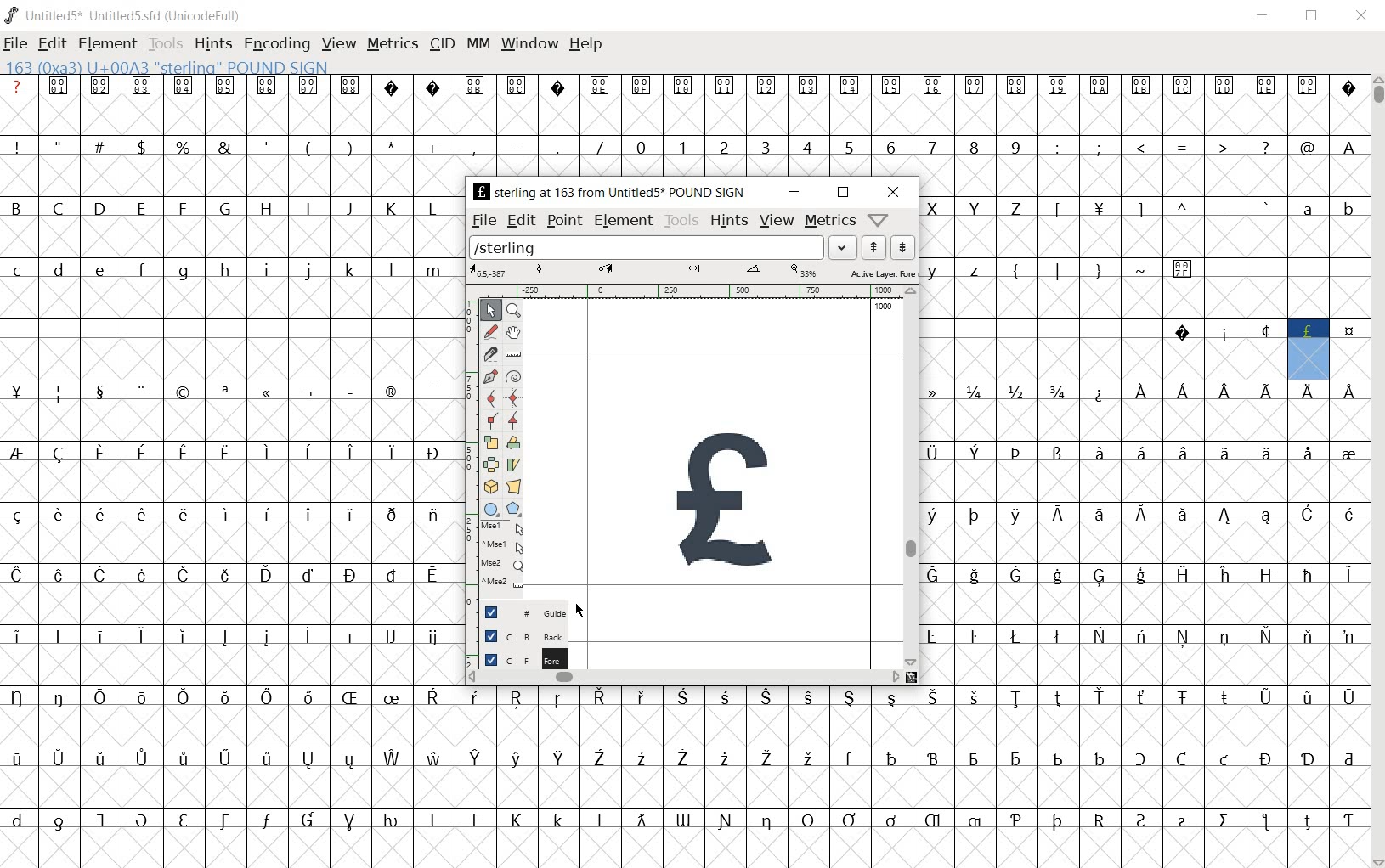 This screenshot has height=868, width=1385. What do you see at coordinates (307, 698) in the screenshot?
I see `Symbol` at bounding box center [307, 698].